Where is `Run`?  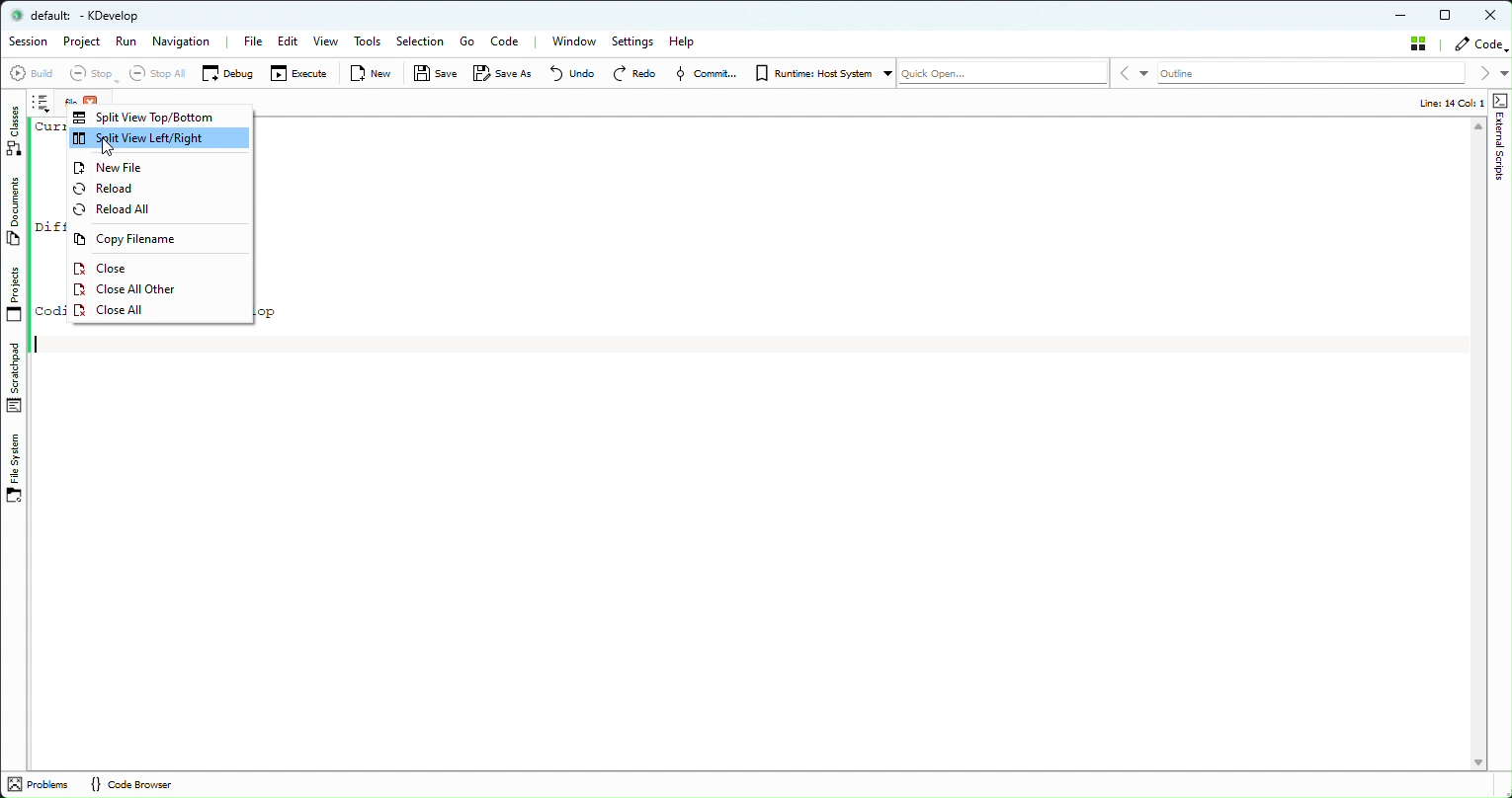
Run is located at coordinates (129, 45).